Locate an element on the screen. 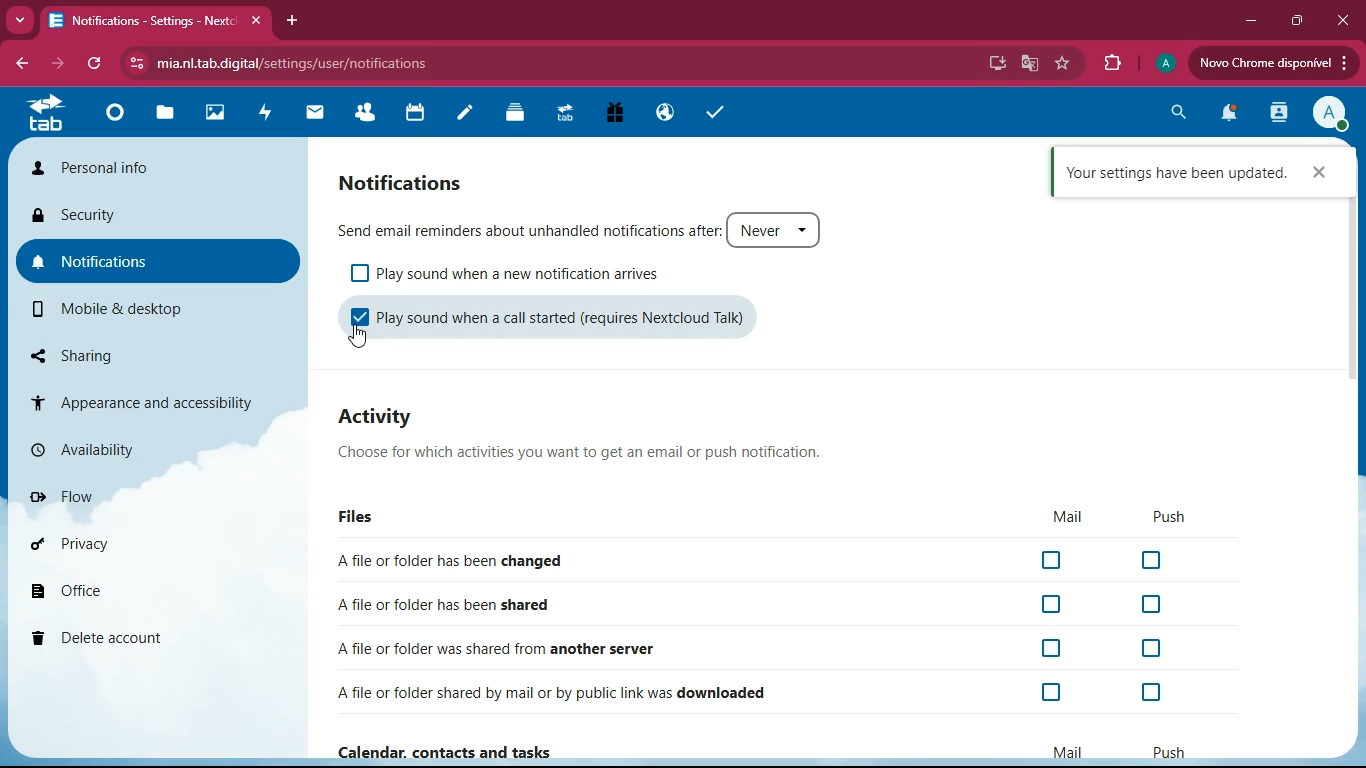 This screenshot has width=1366, height=768. off is located at coordinates (1054, 605).